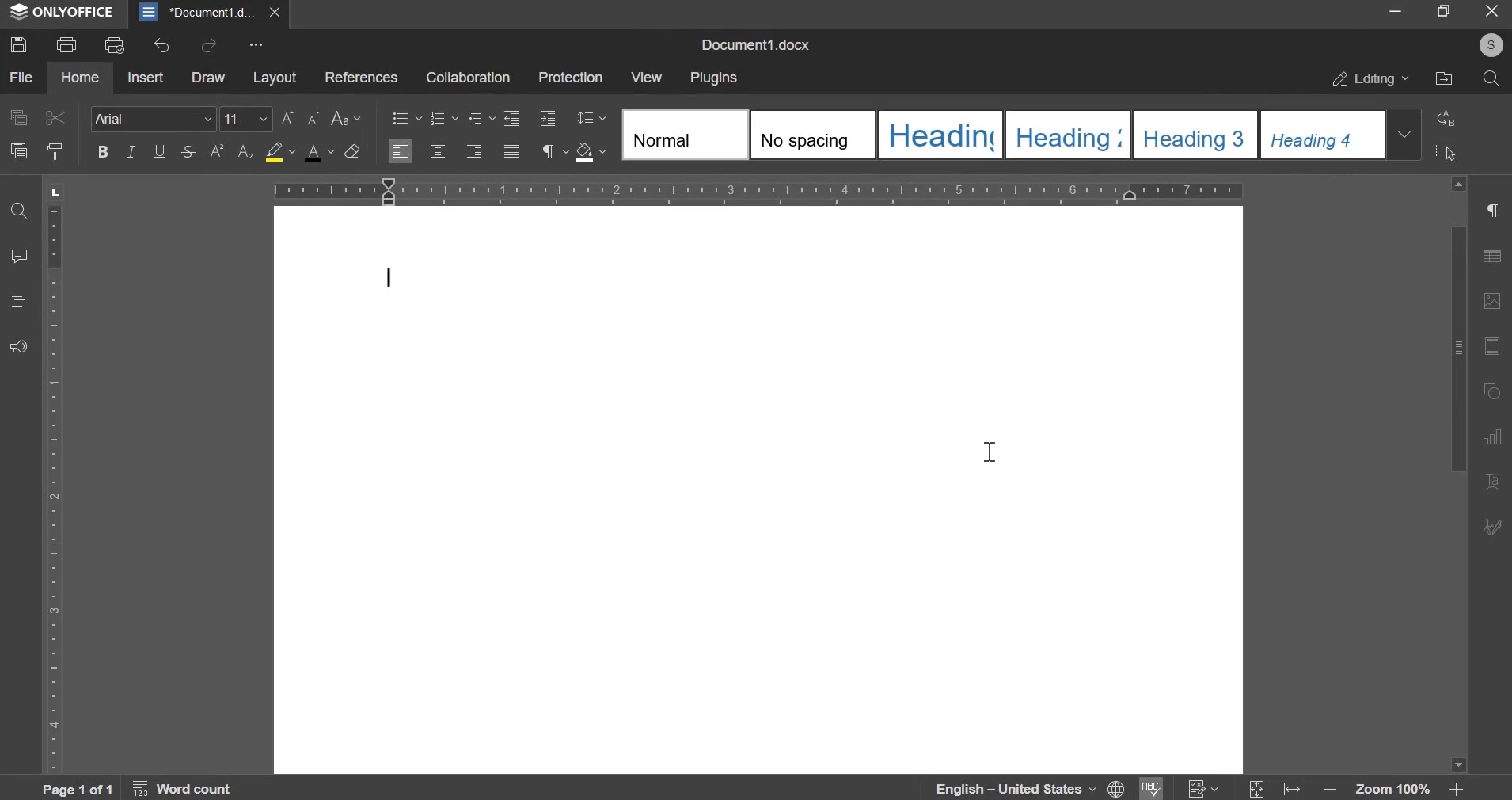 This screenshot has height=800, width=1512. I want to click on paragraph settings, so click(1495, 209).